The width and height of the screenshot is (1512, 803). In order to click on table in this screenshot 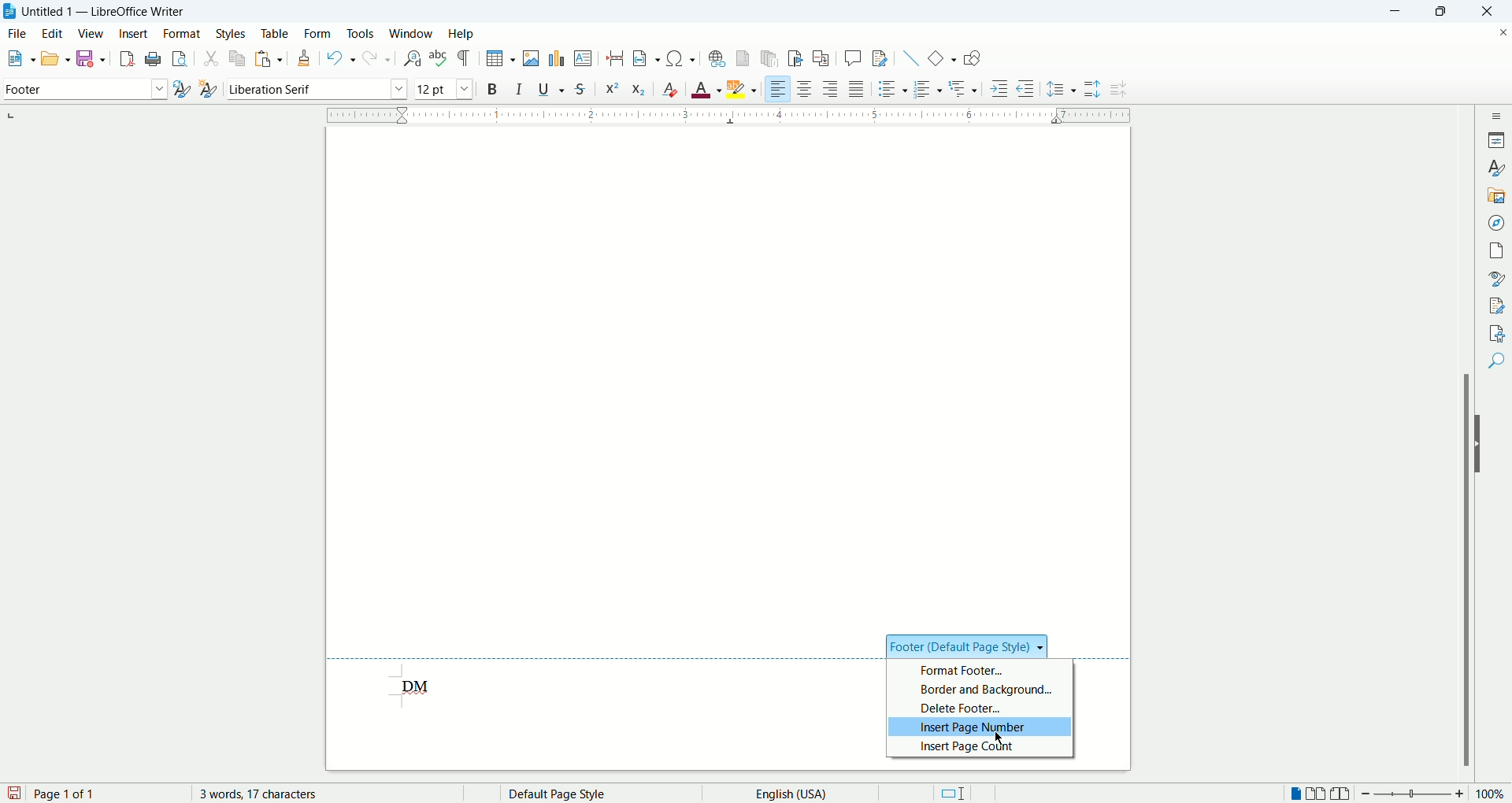, I will do `click(275, 31)`.